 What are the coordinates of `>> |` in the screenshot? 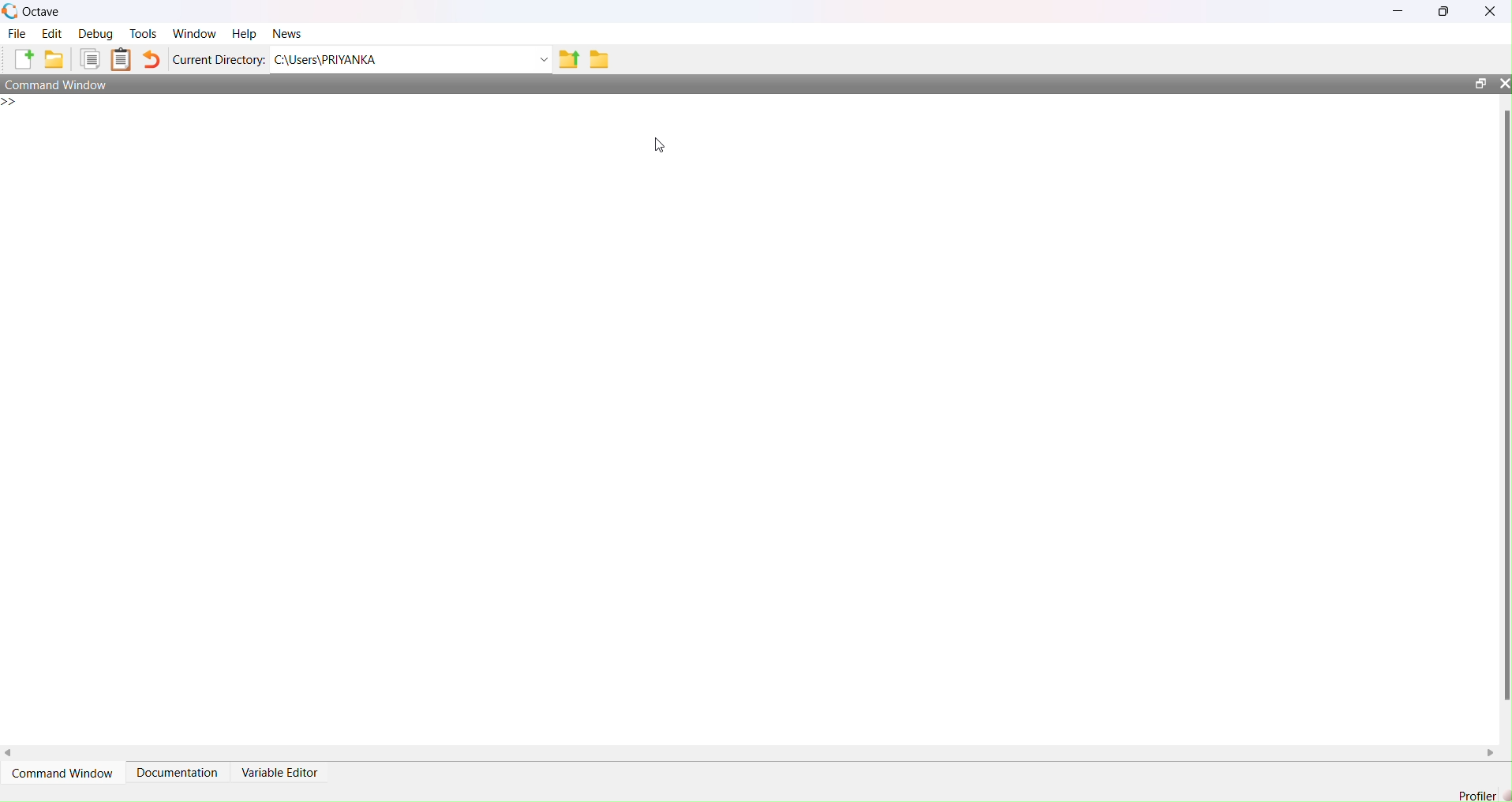 It's located at (18, 104).